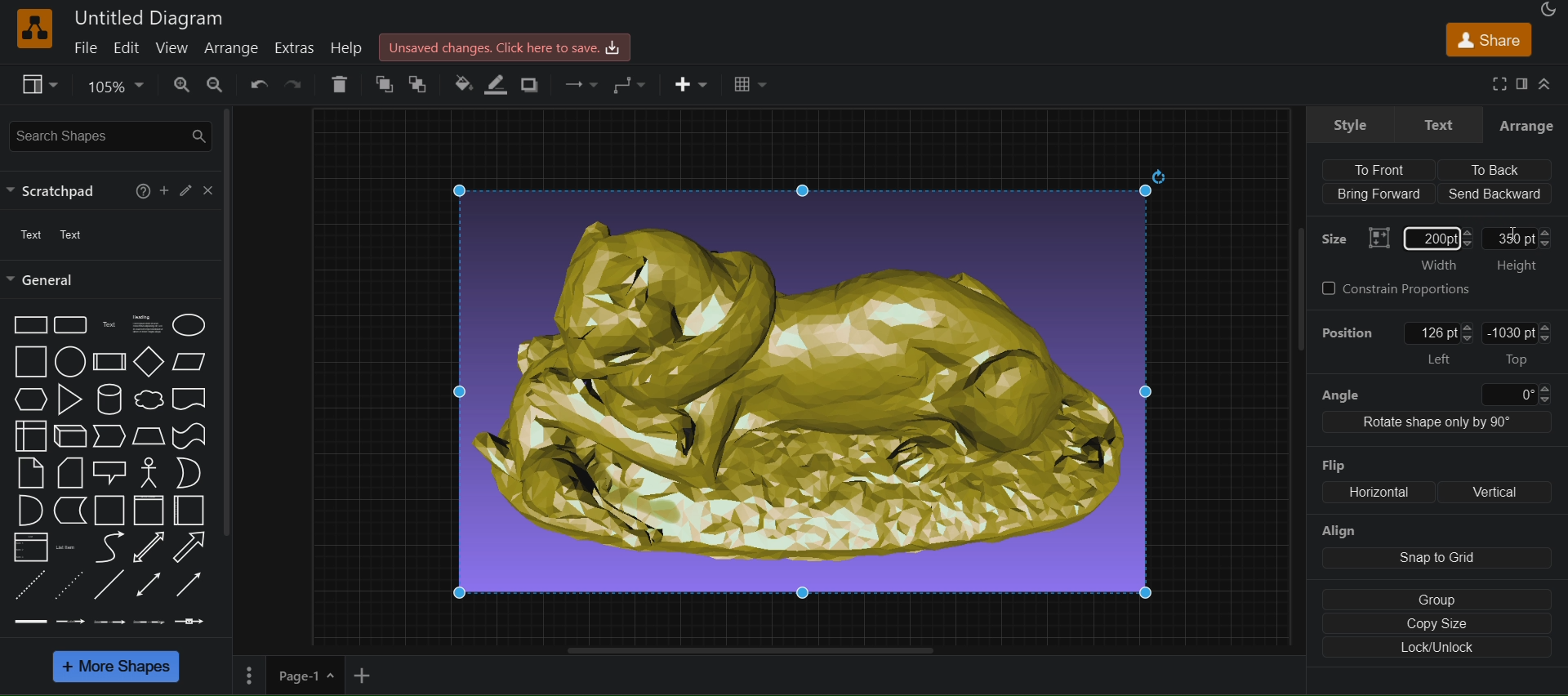 The width and height of the screenshot is (1568, 696). I want to click on scrollbar, so click(1296, 289).